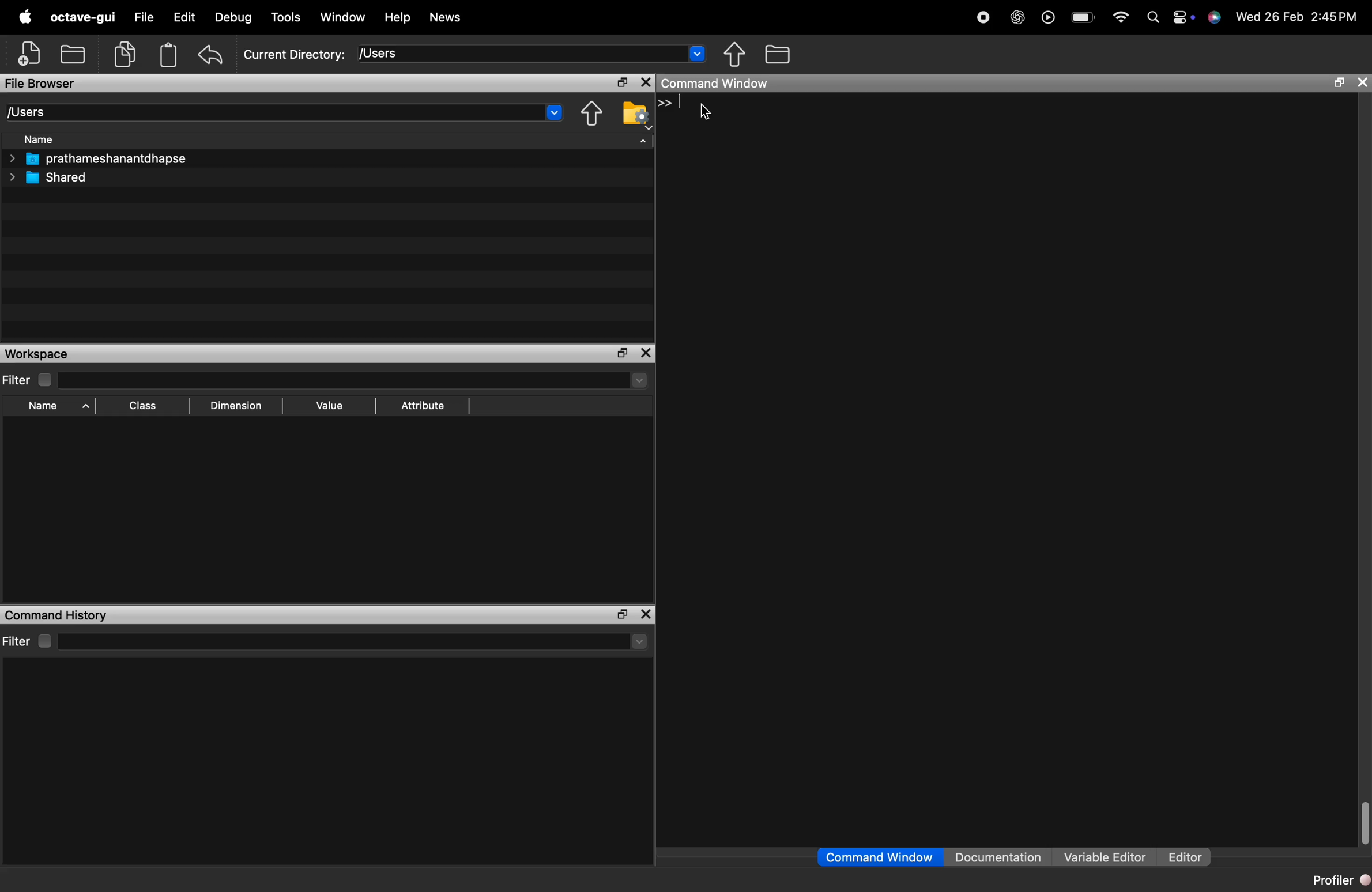 The height and width of the screenshot is (892, 1372). Describe the element at coordinates (1148, 18) in the screenshot. I see `search` at that location.